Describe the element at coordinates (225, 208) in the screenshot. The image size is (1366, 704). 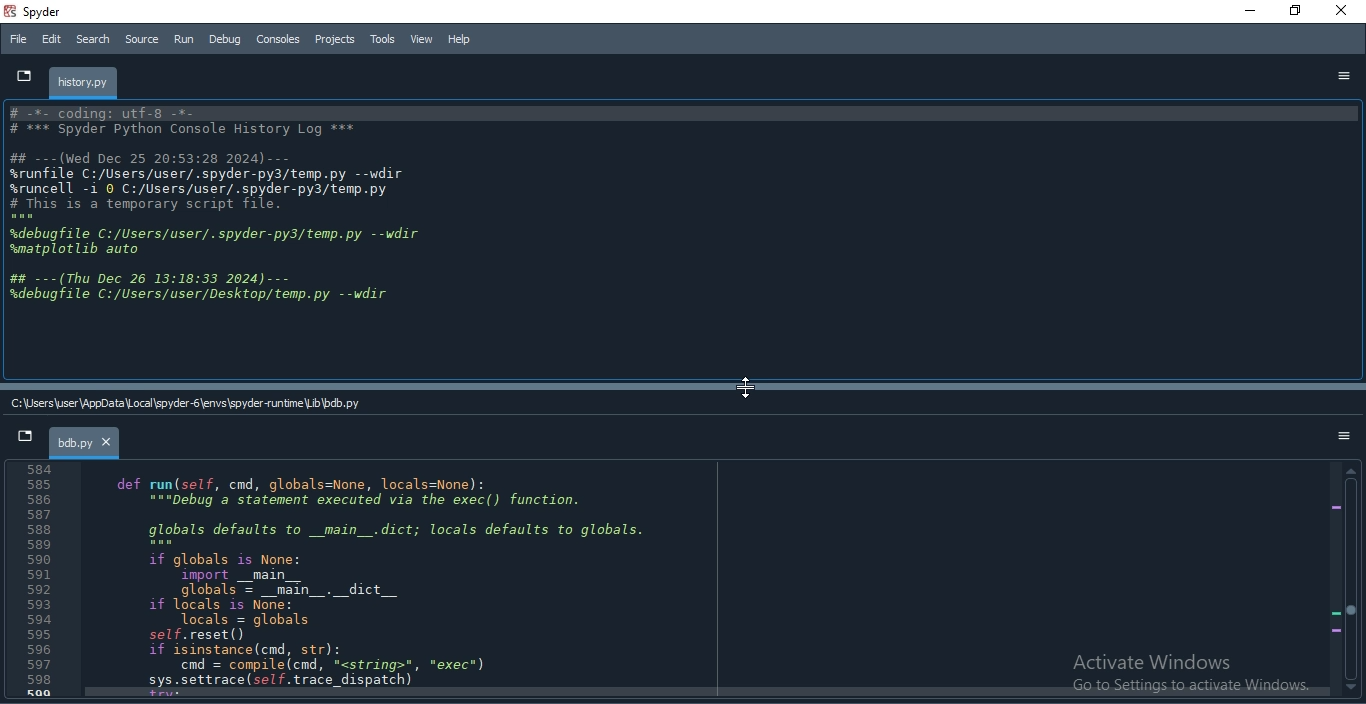
I see `IDE` at that location.